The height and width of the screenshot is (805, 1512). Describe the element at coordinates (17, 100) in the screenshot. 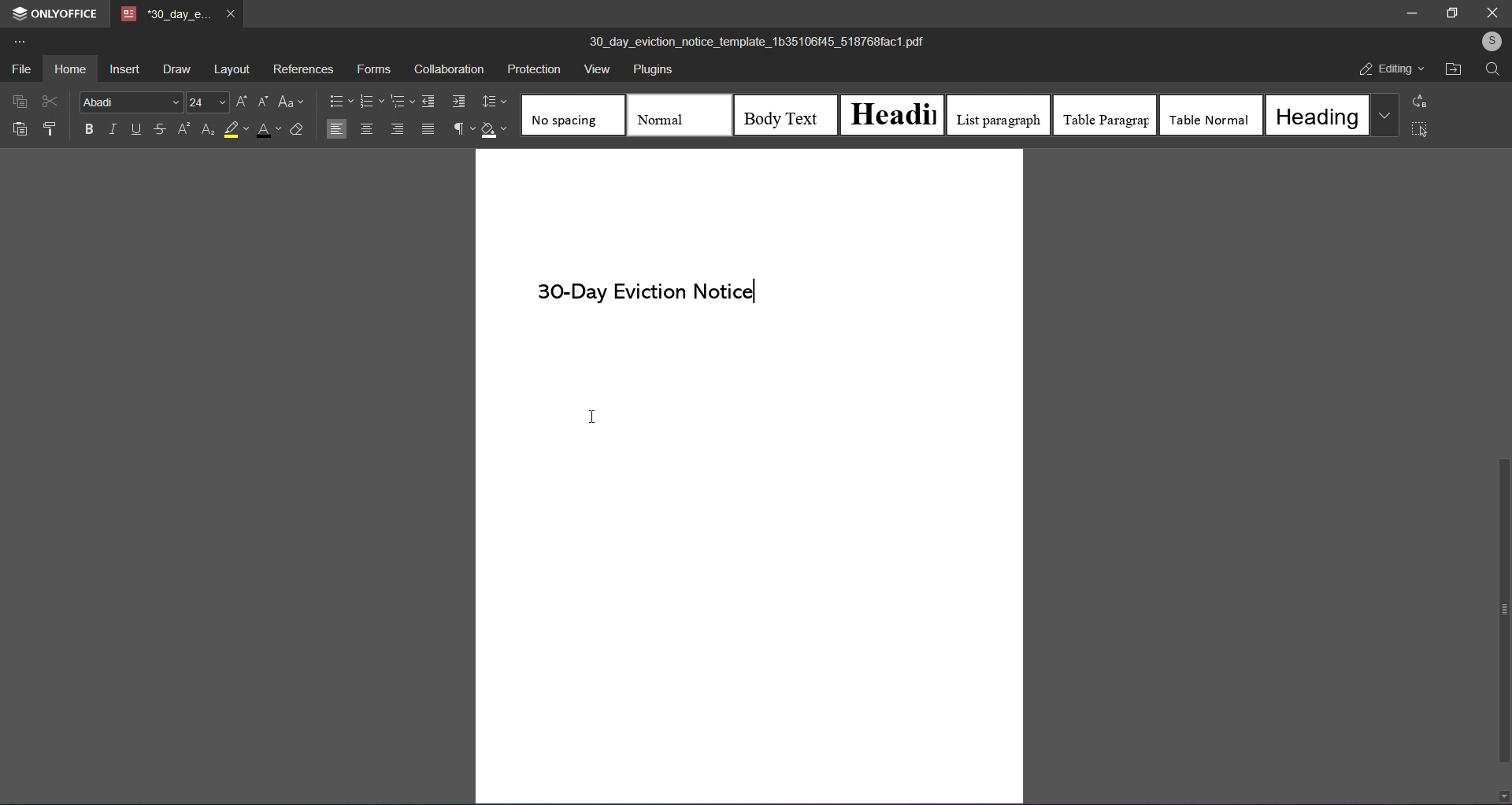

I see `copy` at that location.